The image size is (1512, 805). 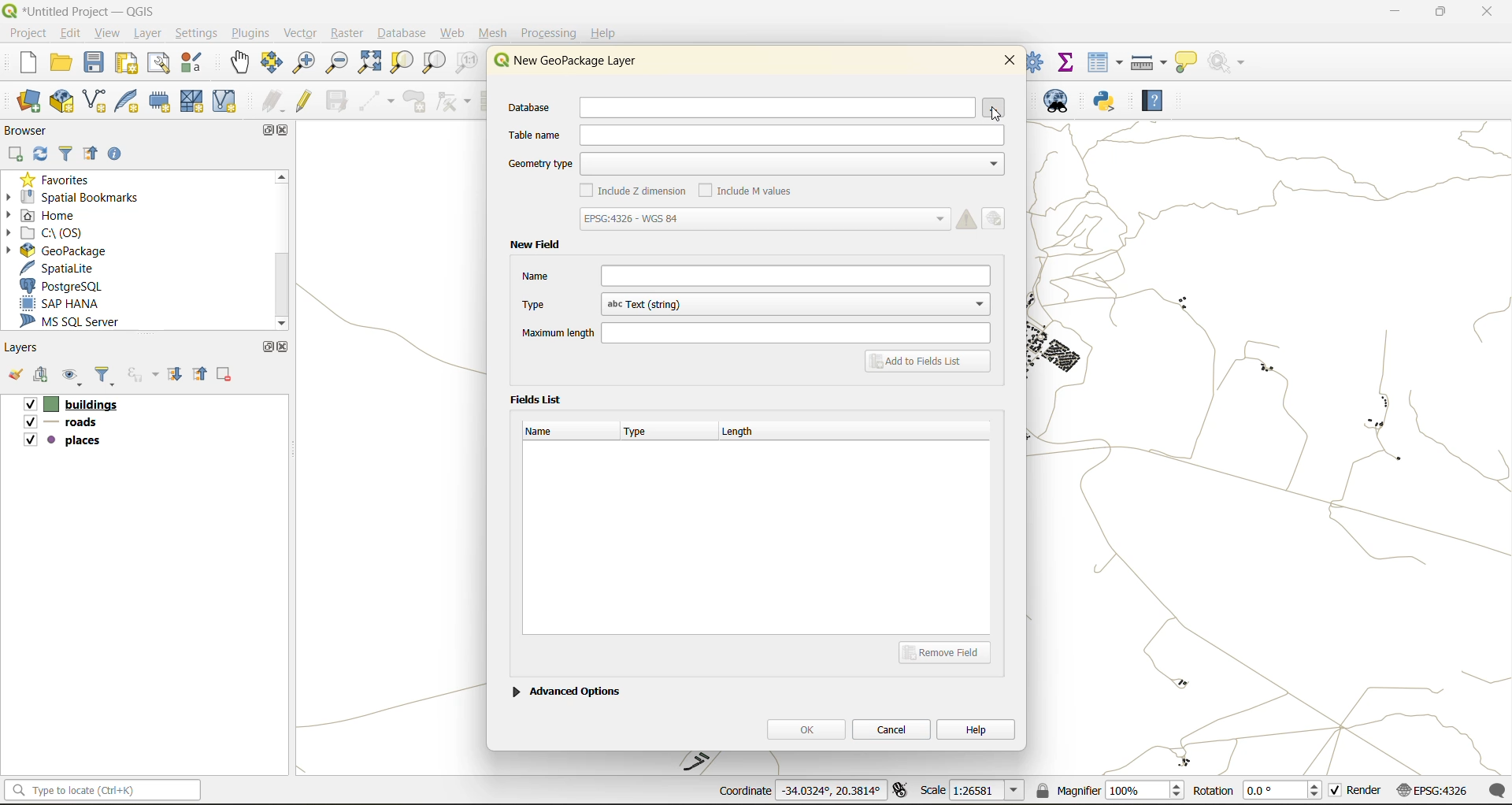 What do you see at coordinates (130, 105) in the screenshot?
I see `new spatialite` at bounding box center [130, 105].